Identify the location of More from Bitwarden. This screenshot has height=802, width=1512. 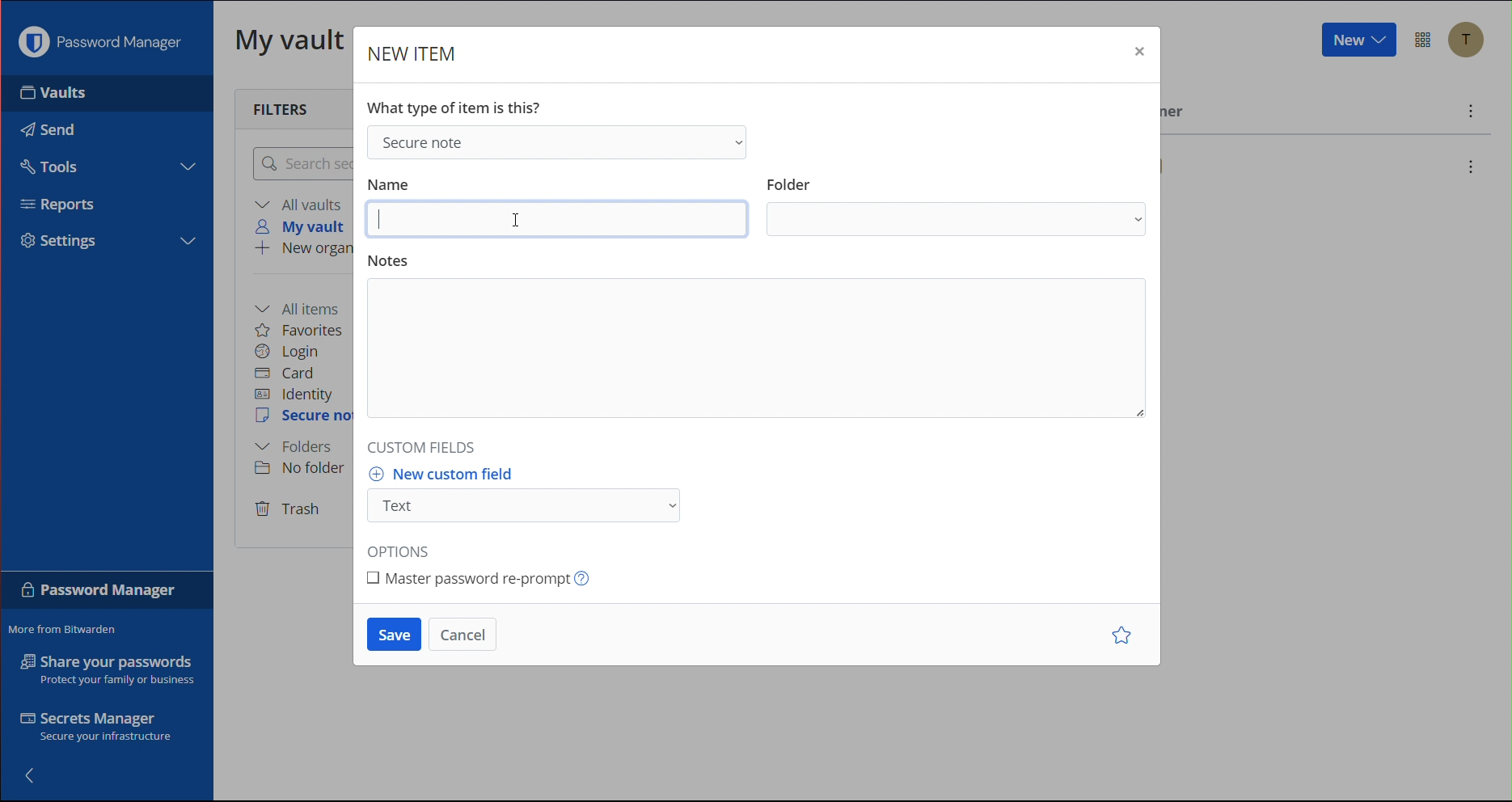
(66, 630).